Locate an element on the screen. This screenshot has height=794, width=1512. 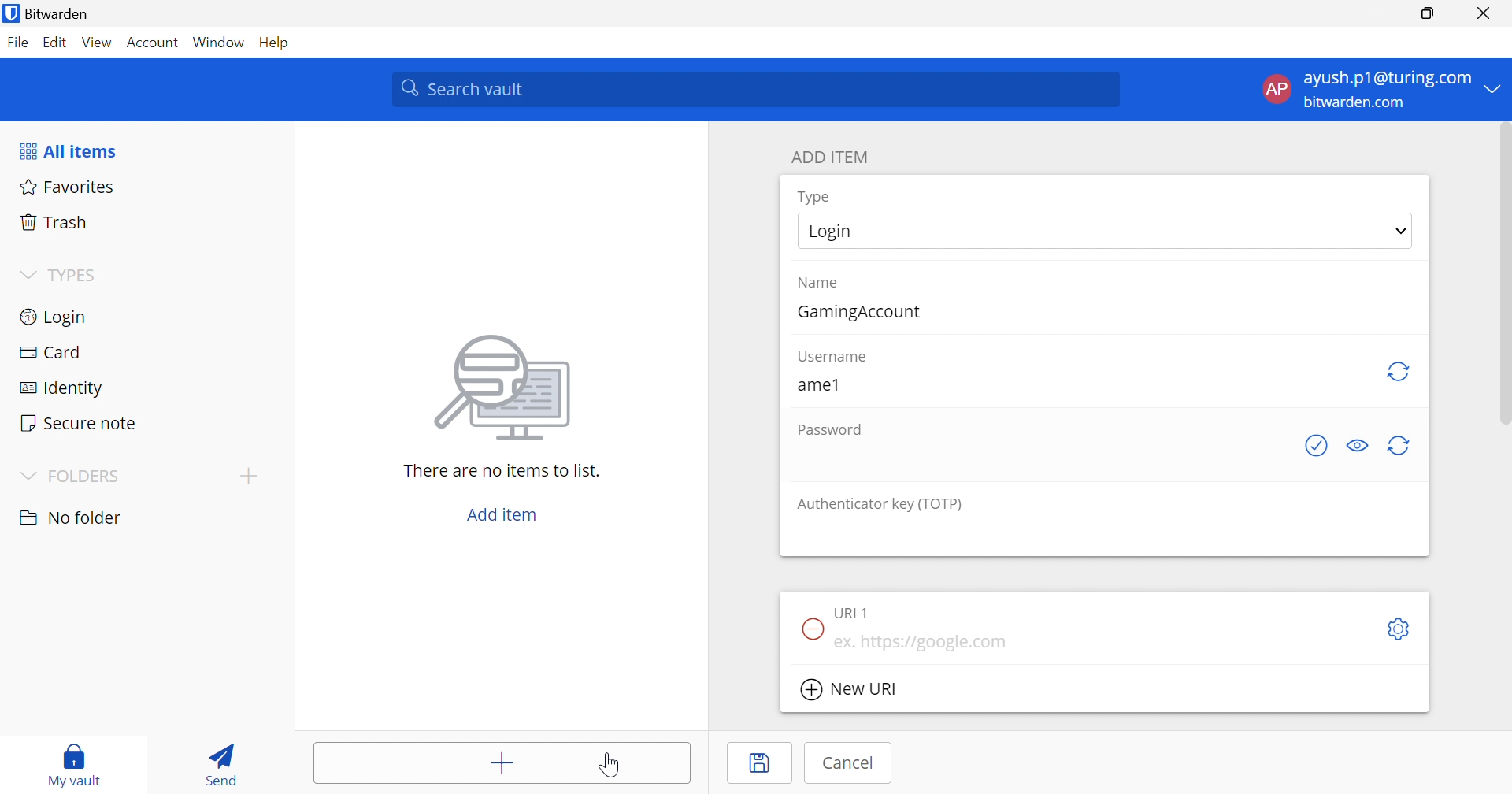
Account is located at coordinates (154, 41).